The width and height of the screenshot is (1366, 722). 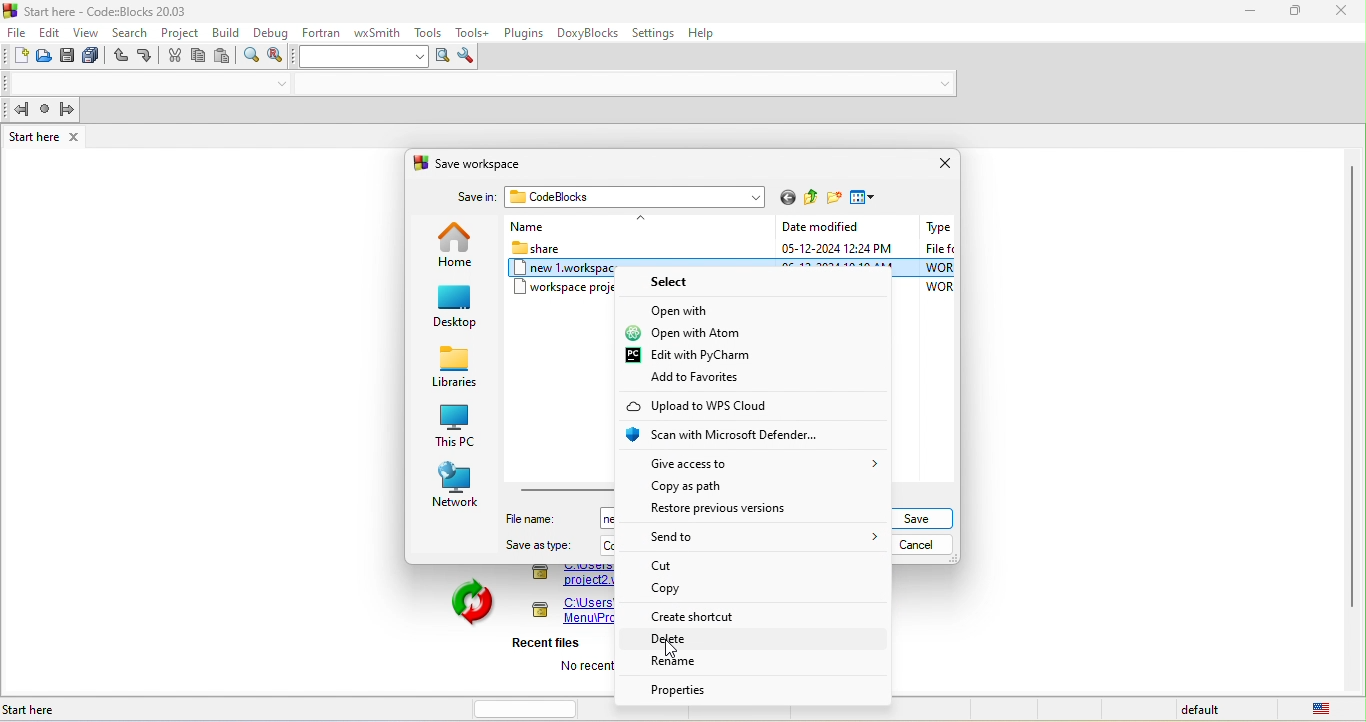 I want to click on find, so click(x=252, y=58).